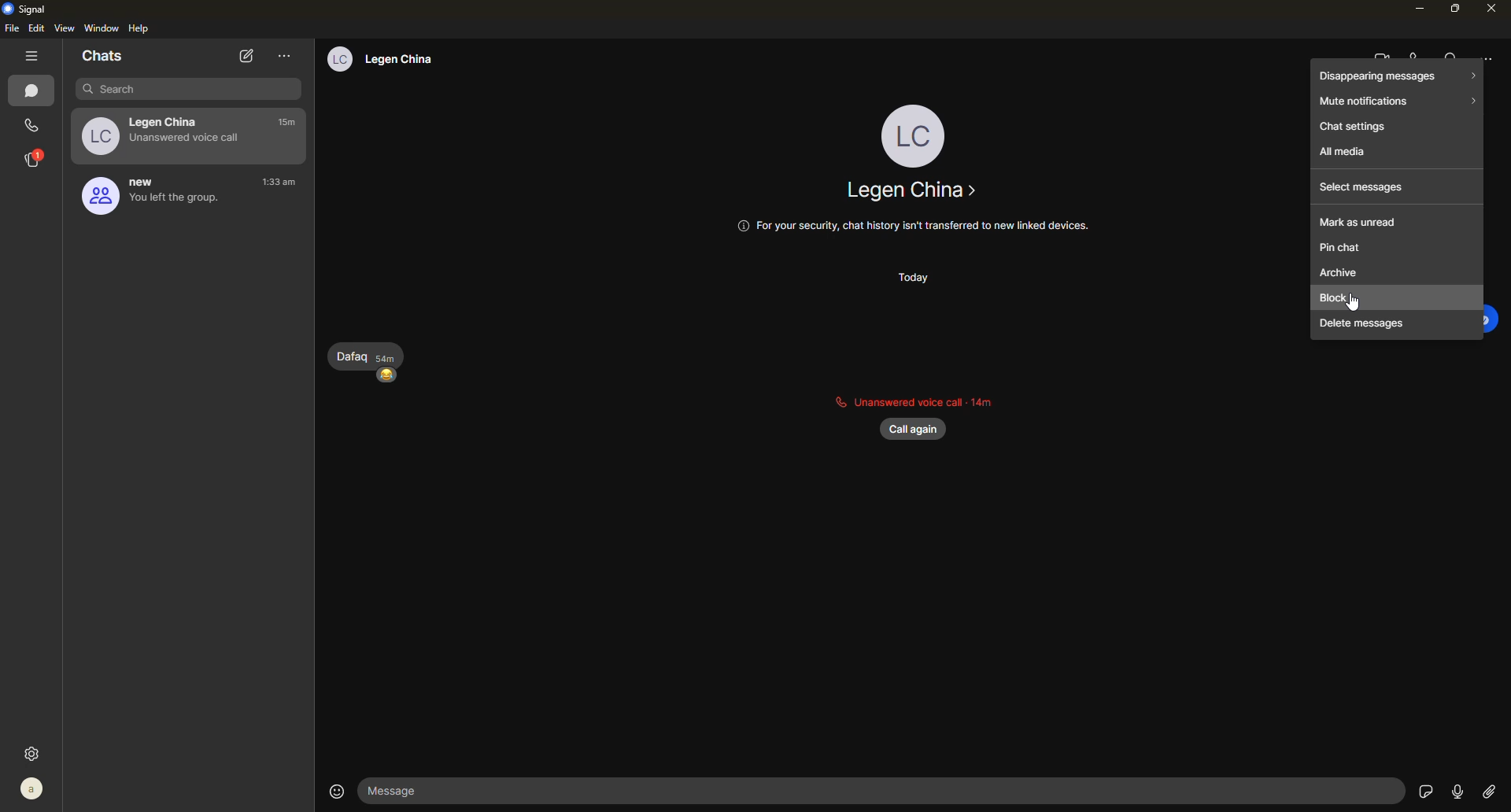  What do you see at coordinates (919, 431) in the screenshot?
I see `call again` at bounding box center [919, 431].